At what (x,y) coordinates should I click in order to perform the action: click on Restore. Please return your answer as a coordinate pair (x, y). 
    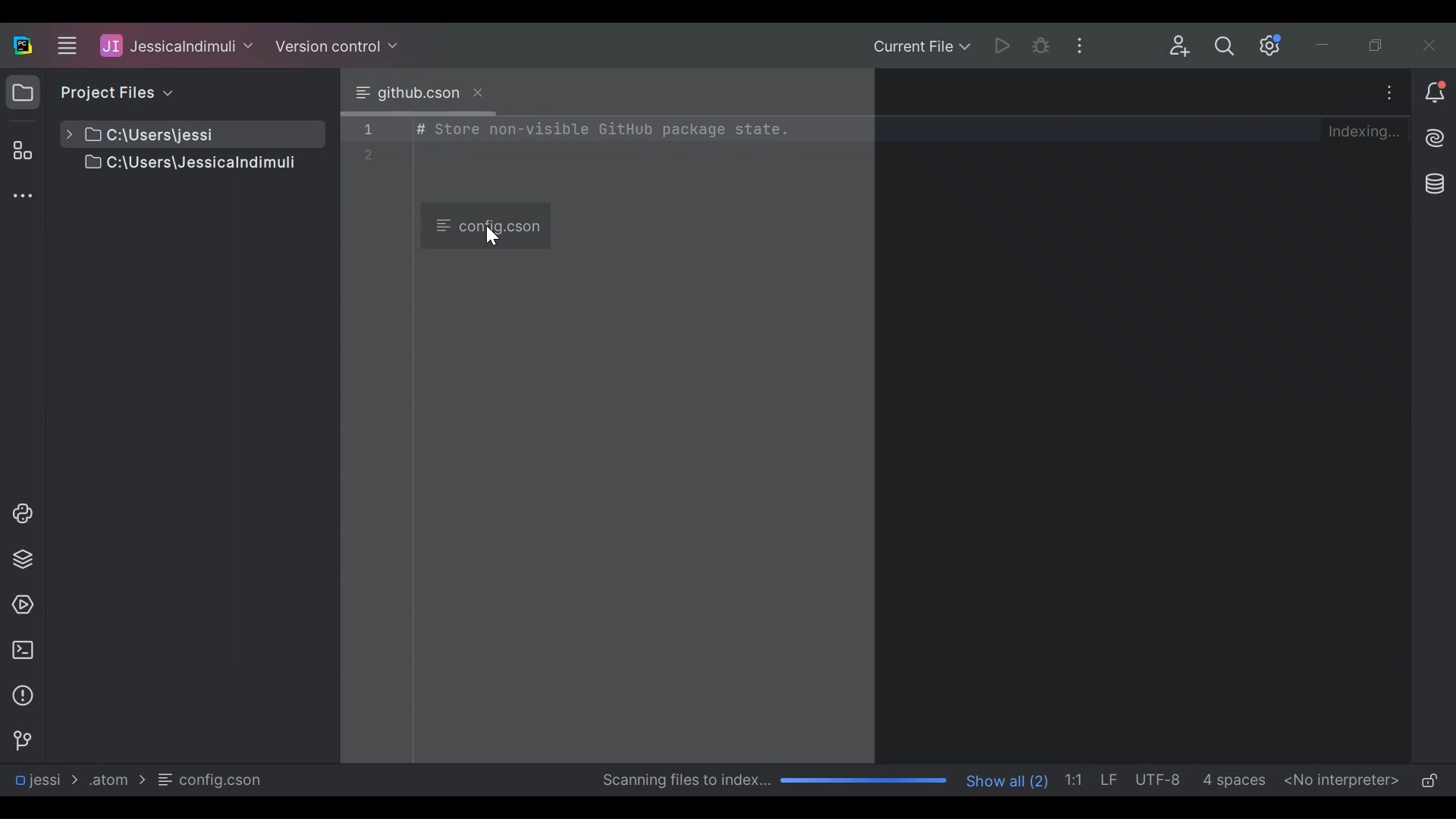
    Looking at the image, I should click on (1379, 45).